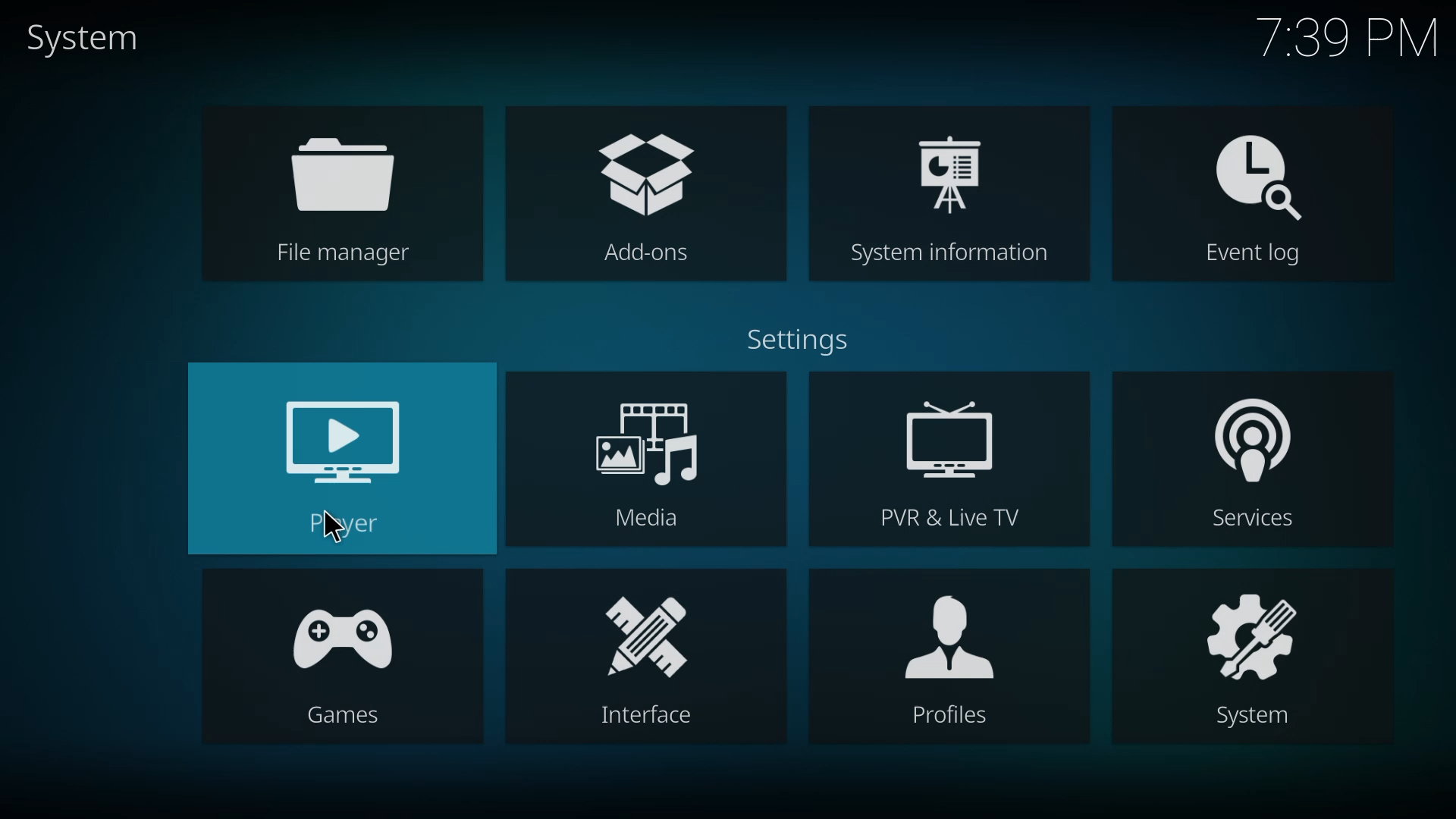 This screenshot has width=1456, height=819. What do you see at coordinates (356, 201) in the screenshot?
I see `file manager` at bounding box center [356, 201].